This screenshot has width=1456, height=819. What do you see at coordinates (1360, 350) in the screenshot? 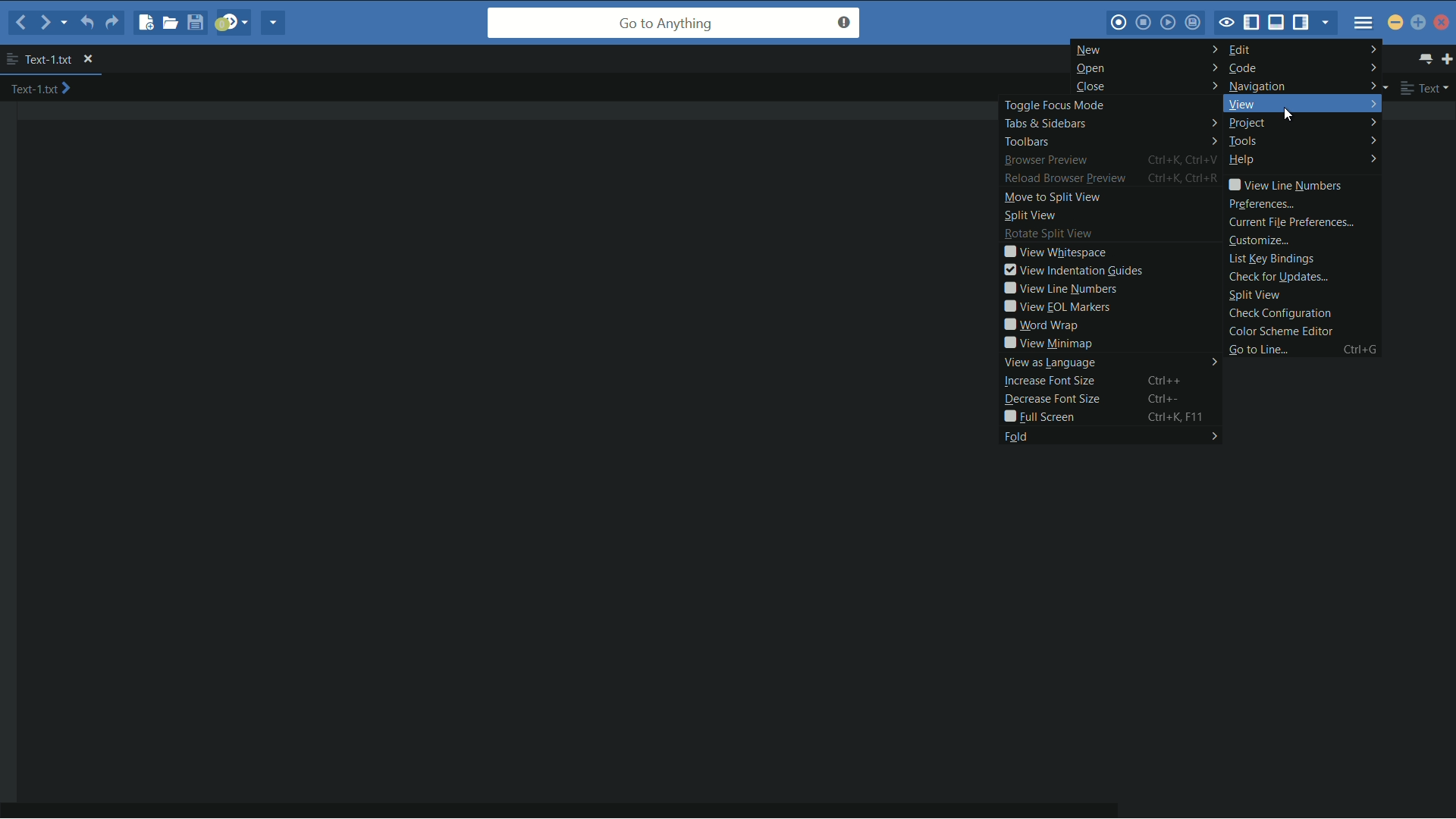
I see `ctrl+g` at bounding box center [1360, 350].